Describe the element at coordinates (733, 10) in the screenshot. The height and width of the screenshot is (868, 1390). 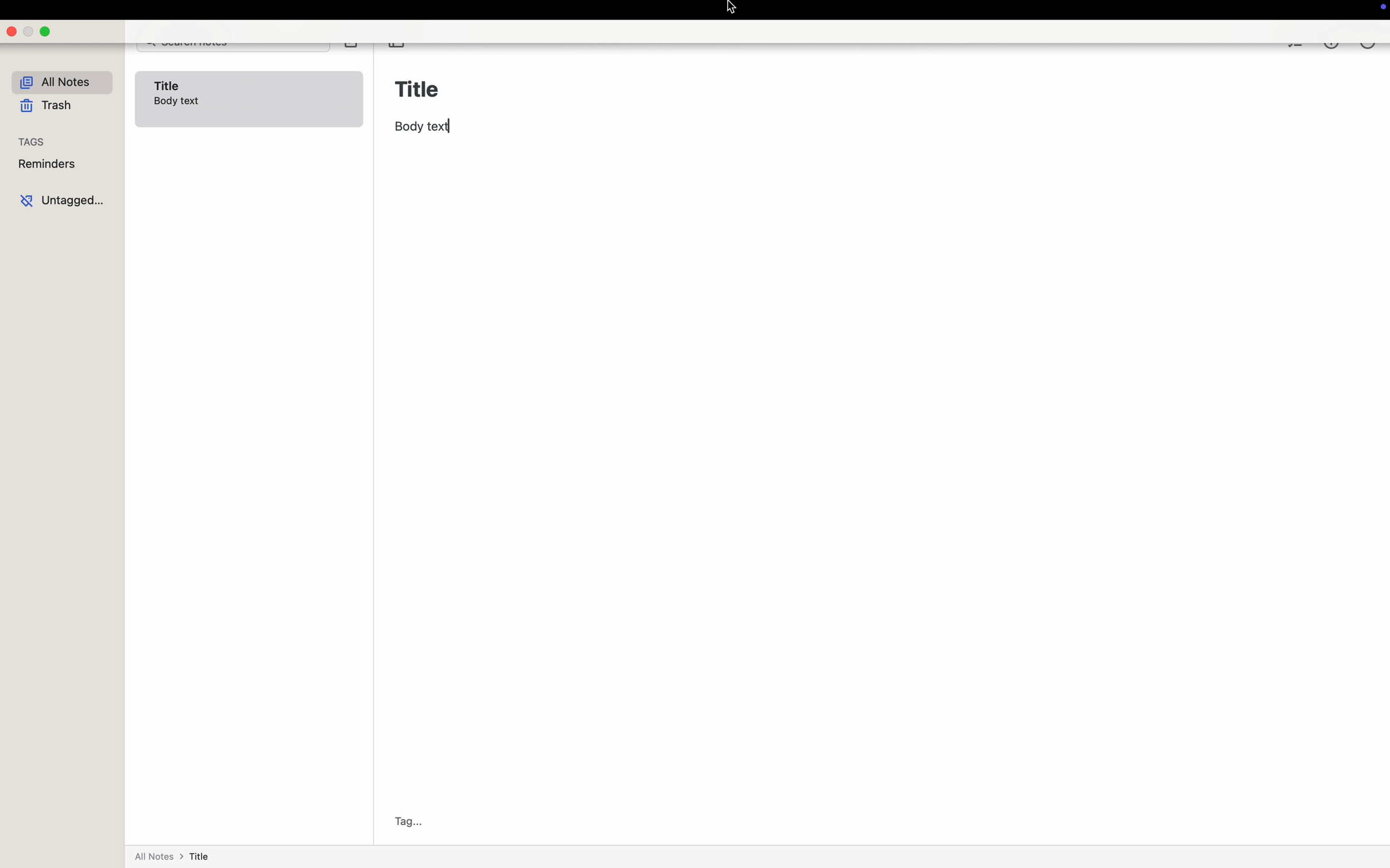
I see `cursor` at that location.